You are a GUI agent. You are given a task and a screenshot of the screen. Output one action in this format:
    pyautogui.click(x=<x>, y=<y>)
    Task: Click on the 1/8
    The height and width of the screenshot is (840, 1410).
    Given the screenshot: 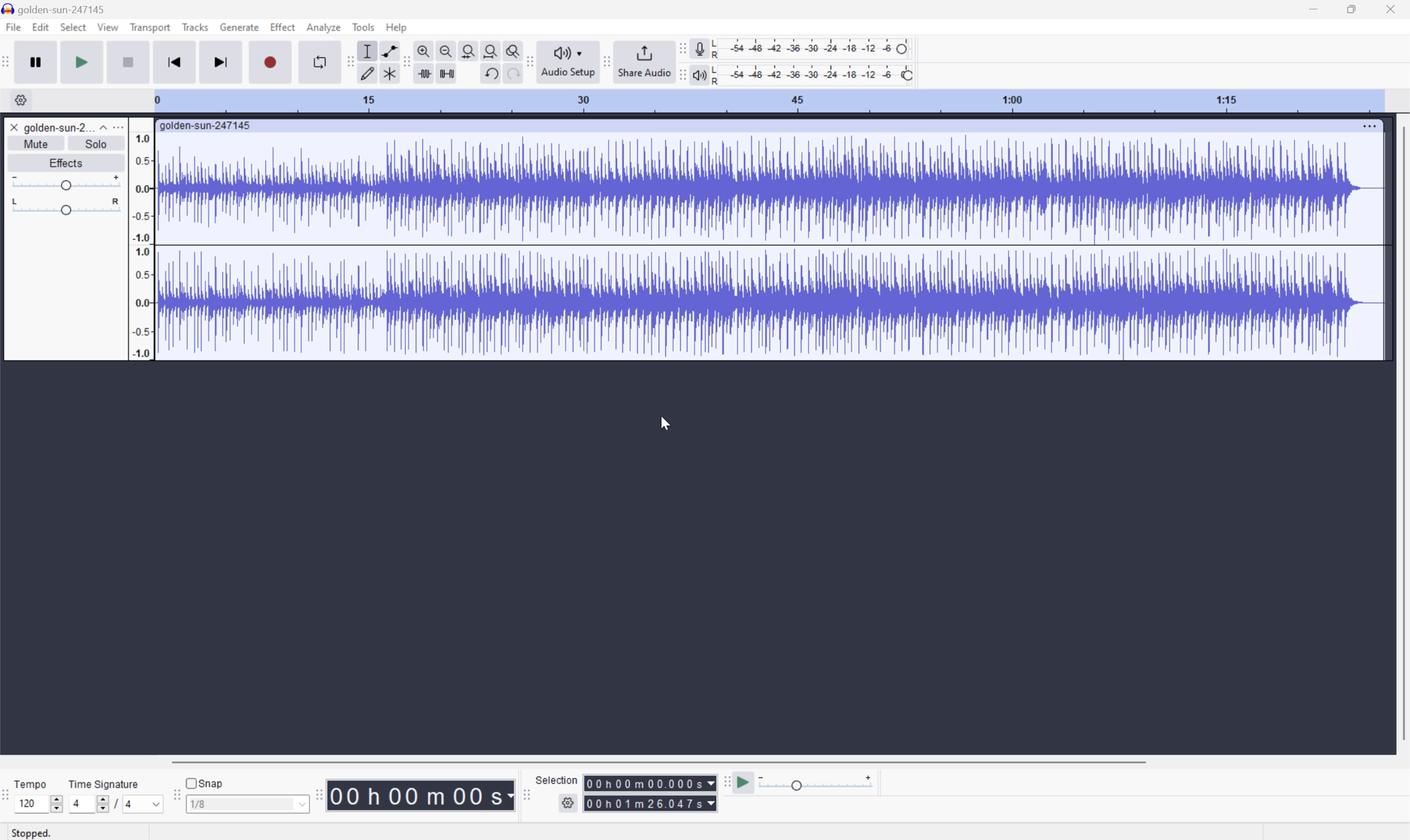 What is the action you would take?
    pyautogui.click(x=246, y=804)
    